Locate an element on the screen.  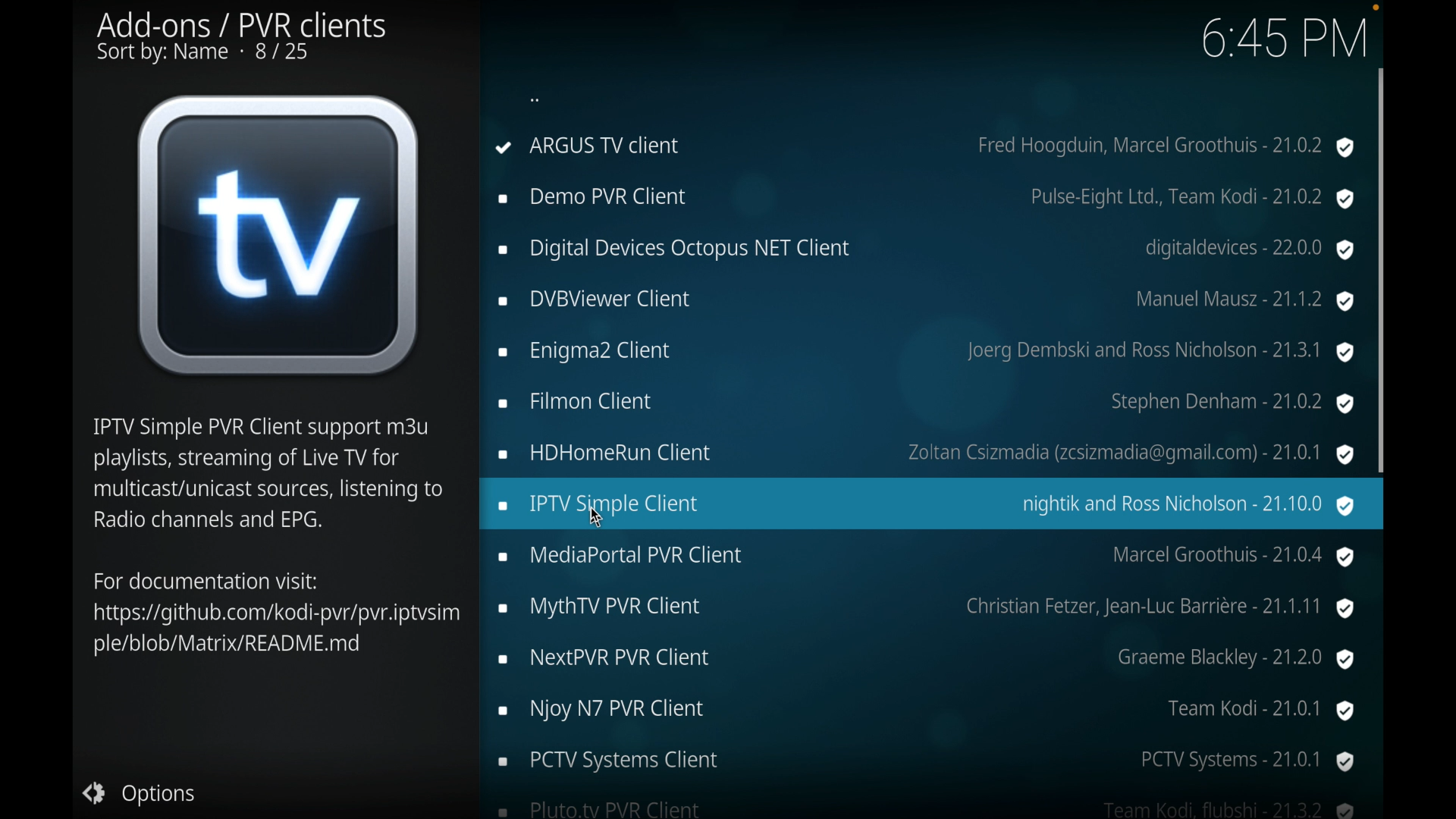
argus tv client is located at coordinates (924, 147).